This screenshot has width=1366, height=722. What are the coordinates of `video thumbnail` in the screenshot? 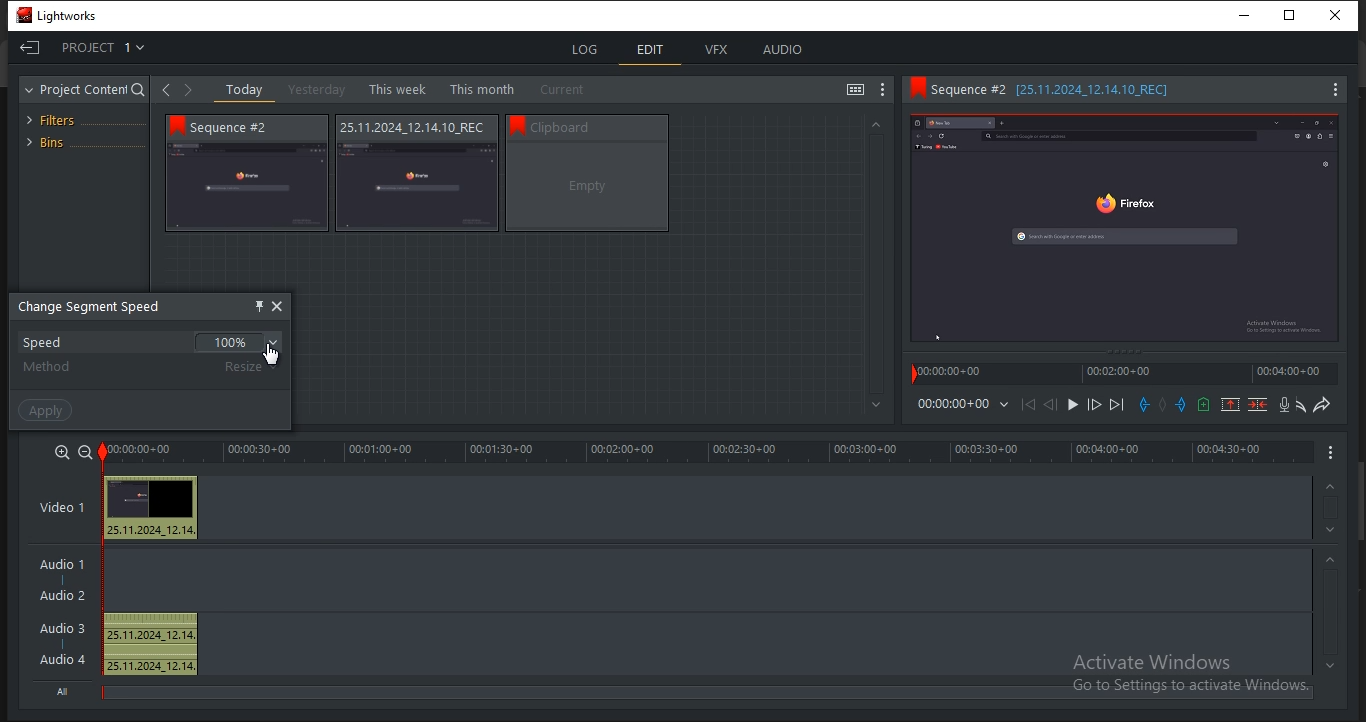 It's located at (587, 186).